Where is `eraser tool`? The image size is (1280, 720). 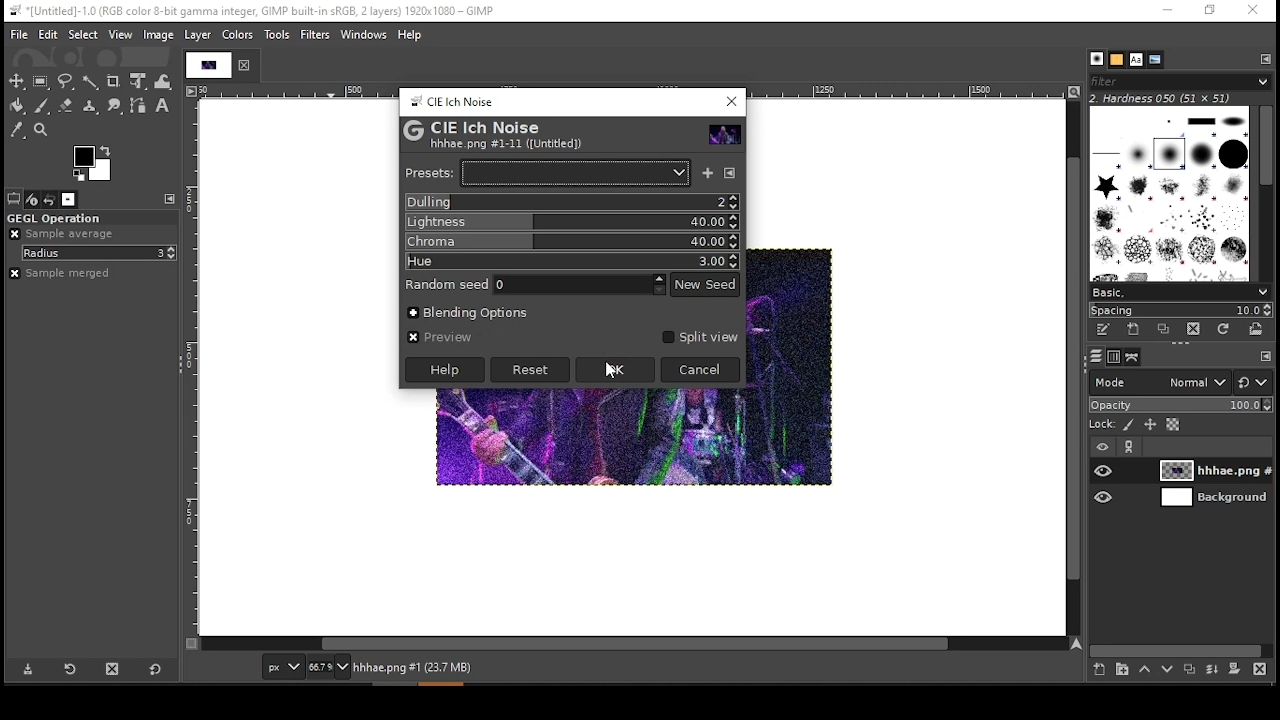 eraser tool is located at coordinates (64, 105).